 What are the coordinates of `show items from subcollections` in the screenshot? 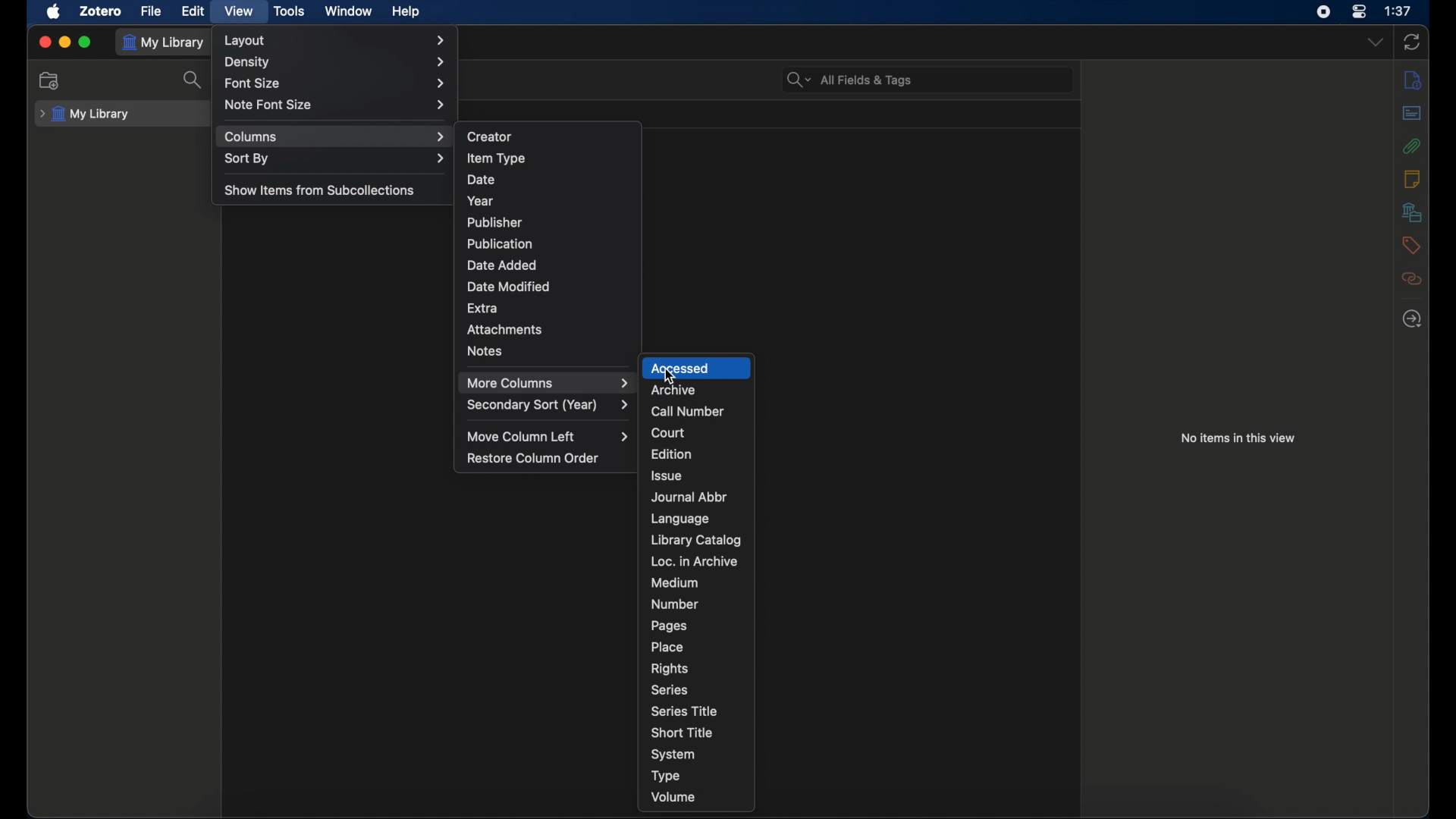 It's located at (320, 190).